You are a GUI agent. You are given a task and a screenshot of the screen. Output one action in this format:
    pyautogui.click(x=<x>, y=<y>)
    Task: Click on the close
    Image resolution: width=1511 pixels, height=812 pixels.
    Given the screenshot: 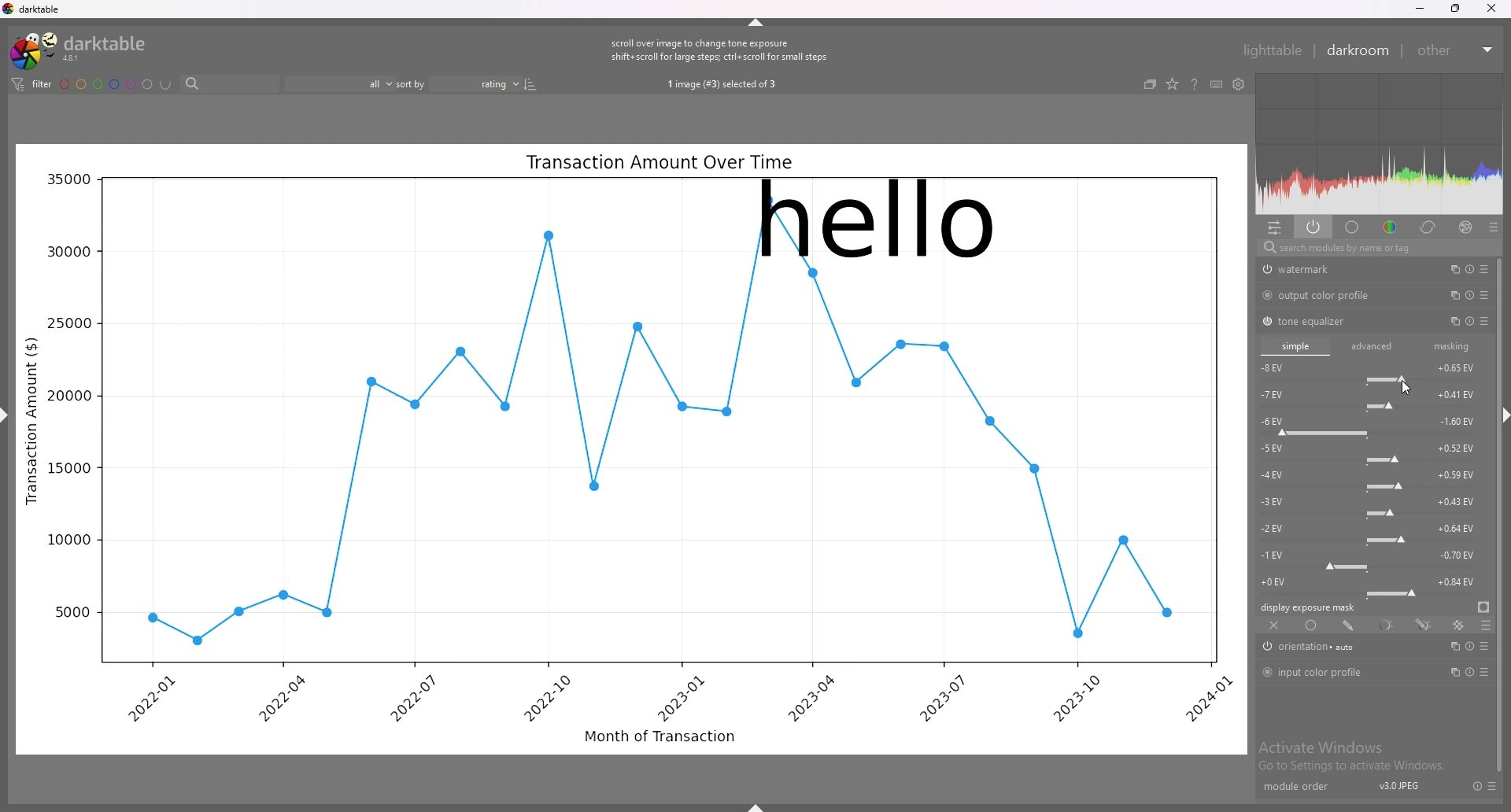 What is the action you would take?
    pyautogui.click(x=1490, y=8)
    